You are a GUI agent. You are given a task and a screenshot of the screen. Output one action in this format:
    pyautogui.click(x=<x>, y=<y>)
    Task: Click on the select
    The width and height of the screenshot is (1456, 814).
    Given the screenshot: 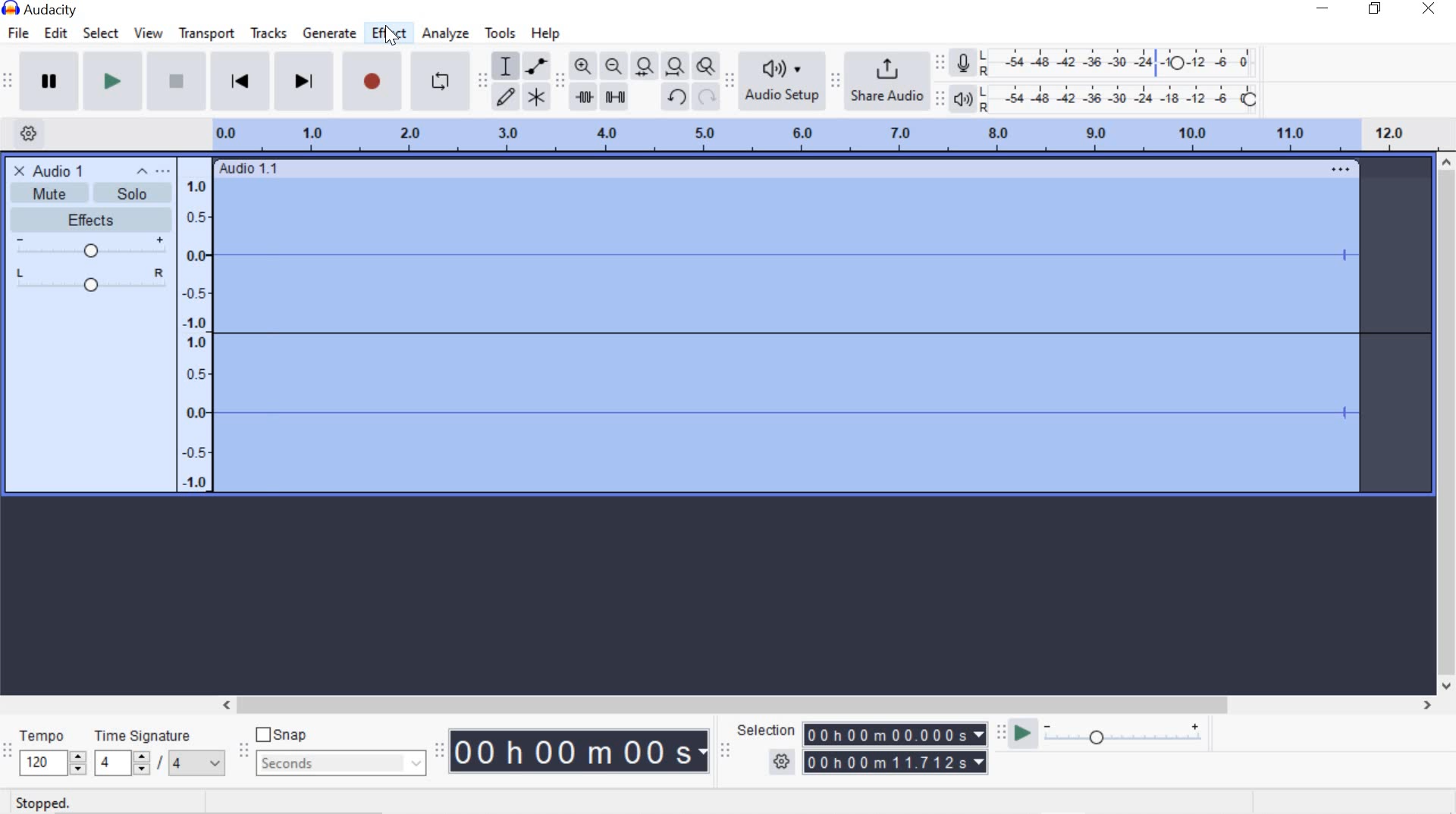 What is the action you would take?
    pyautogui.click(x=101, y=33)
    